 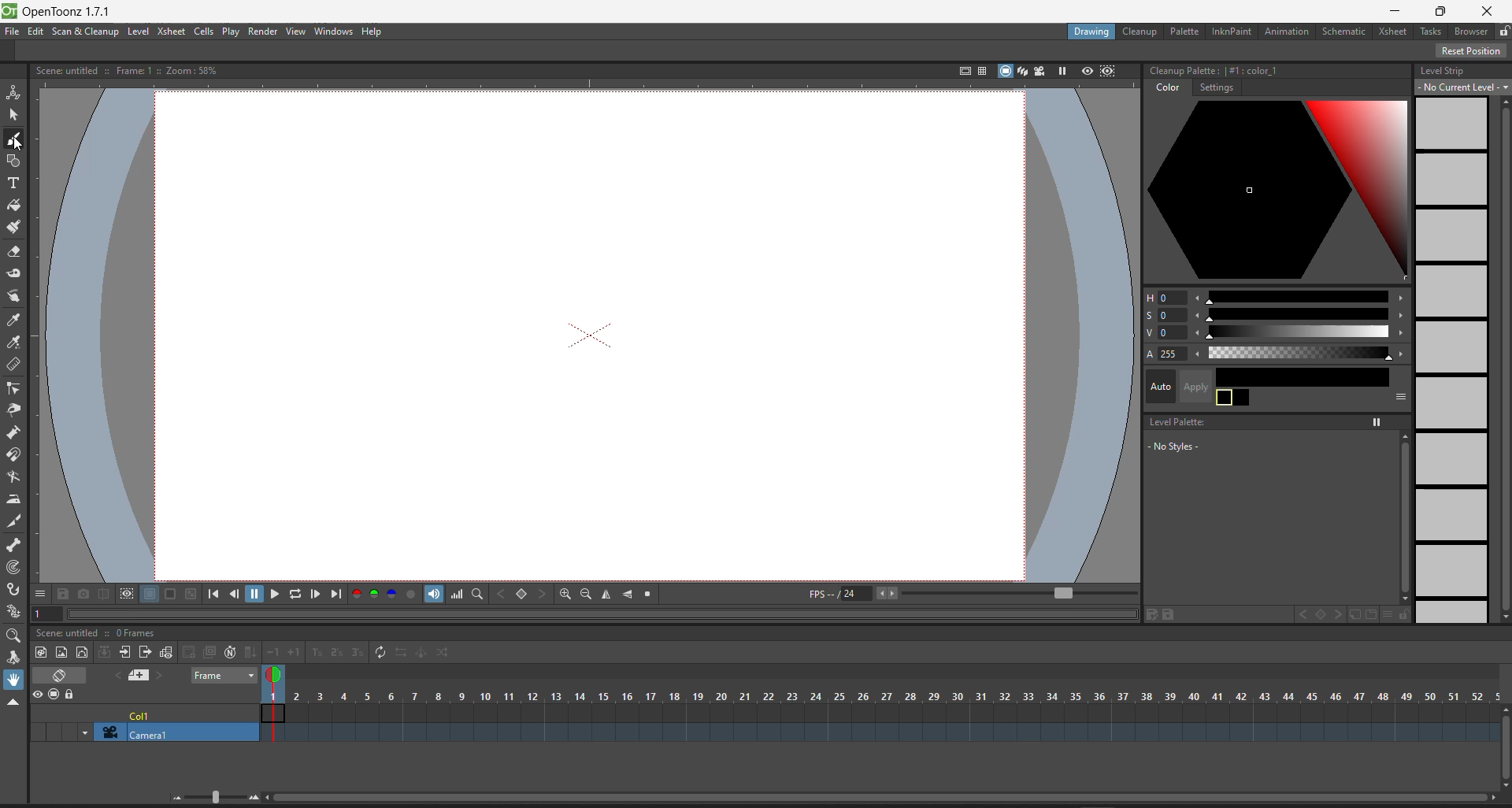 What do you see at coordinates (316, 653) in the screenshot?
I see `reframe on 1` at bounding box center [316, 653].